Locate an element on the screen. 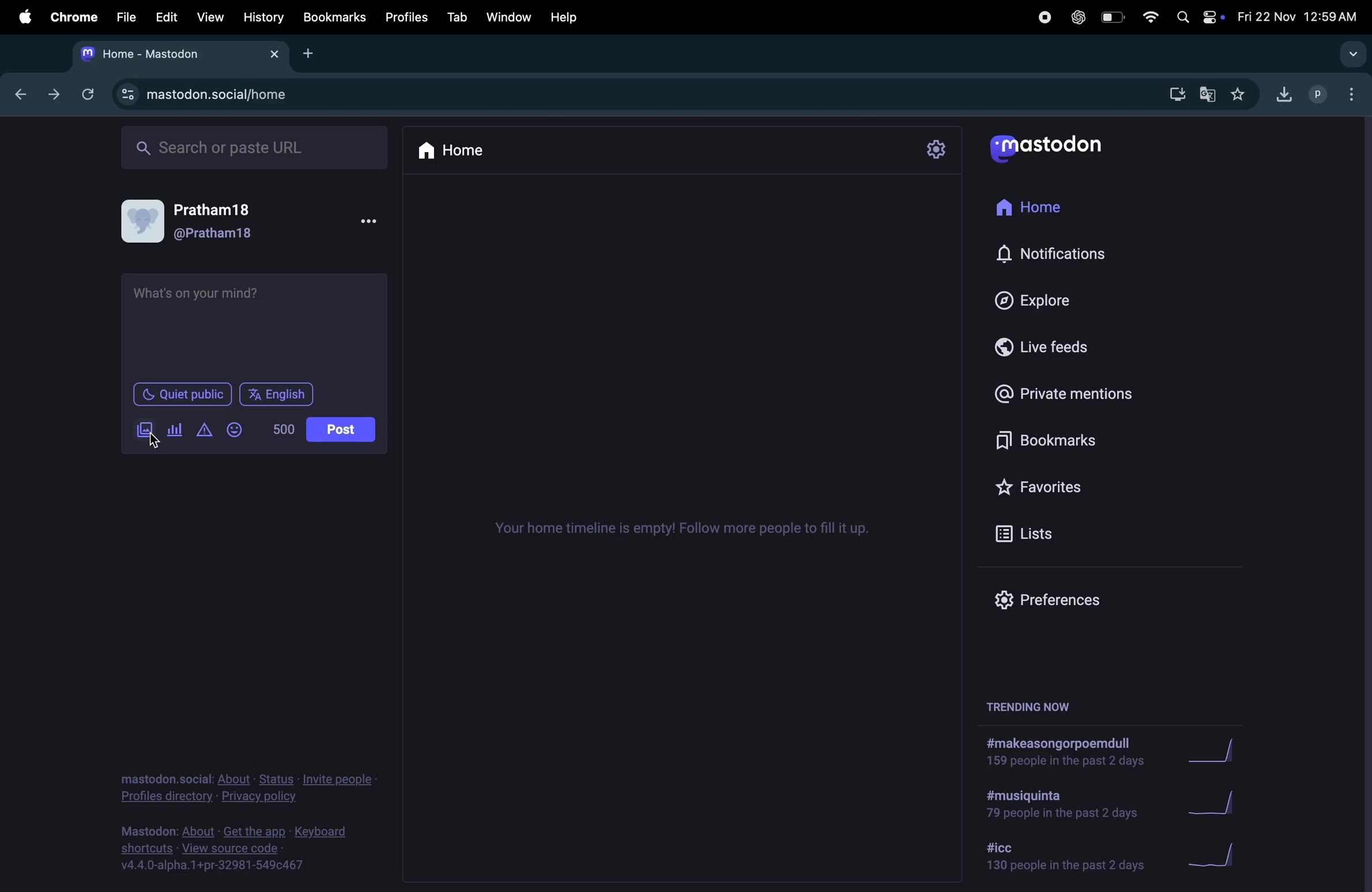 The width and height of the screenshot is (1372, 892). settings is located at coordinates (937, 149).